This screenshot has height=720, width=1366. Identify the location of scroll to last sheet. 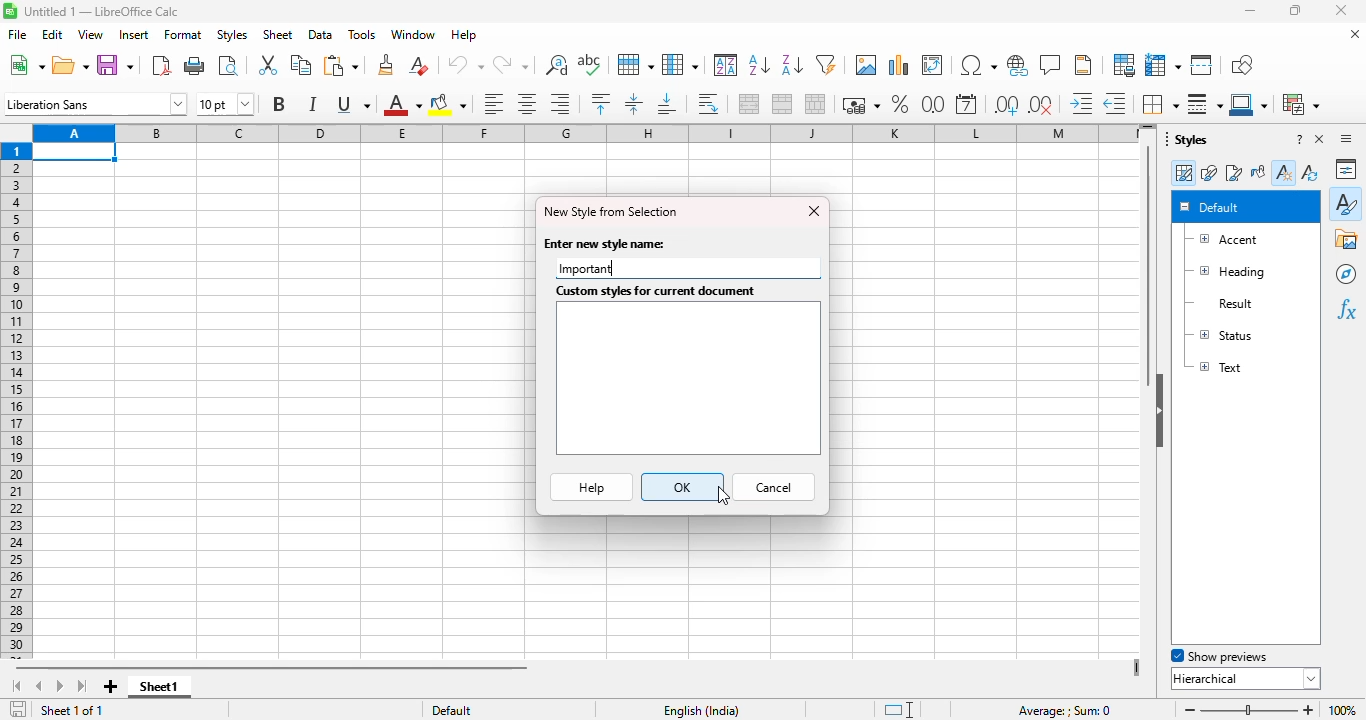
(84, 687).